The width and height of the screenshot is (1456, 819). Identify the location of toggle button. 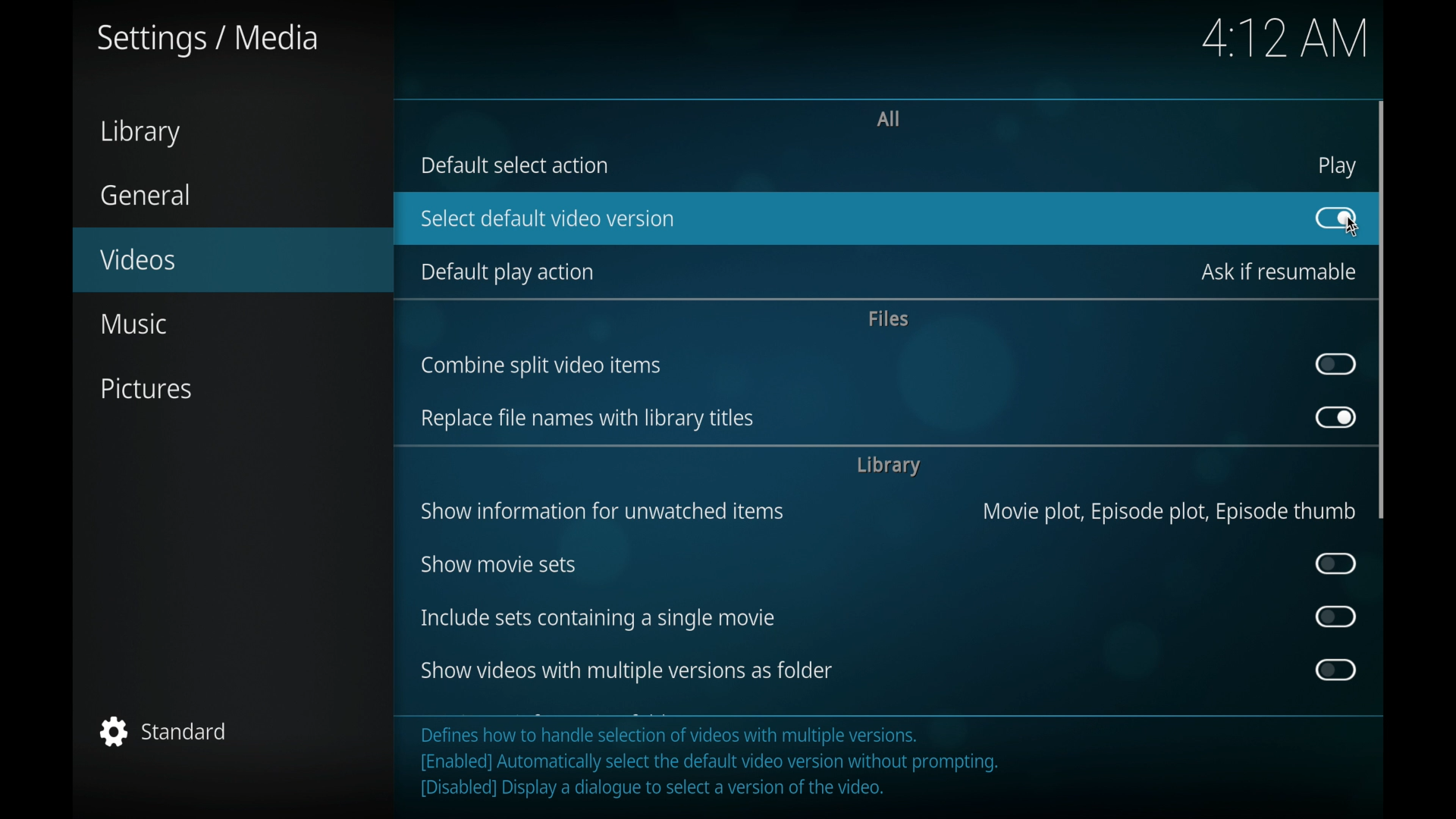
(1336, 563).